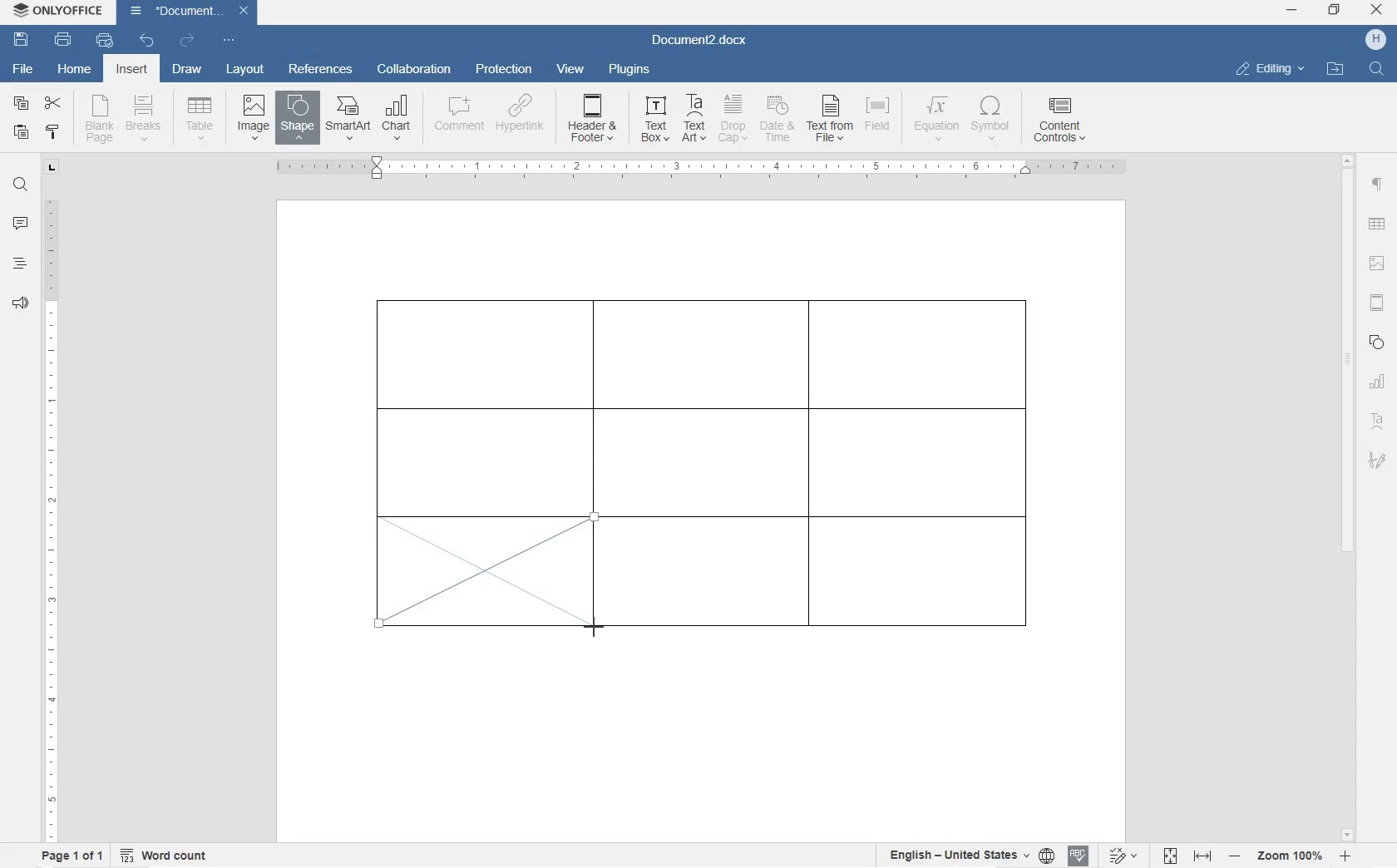 This screenshot has width=1397, height=868. What do you see at coordinates (187, 42) in the screenshot?
I see `redo` at bounding box center [187, 42].